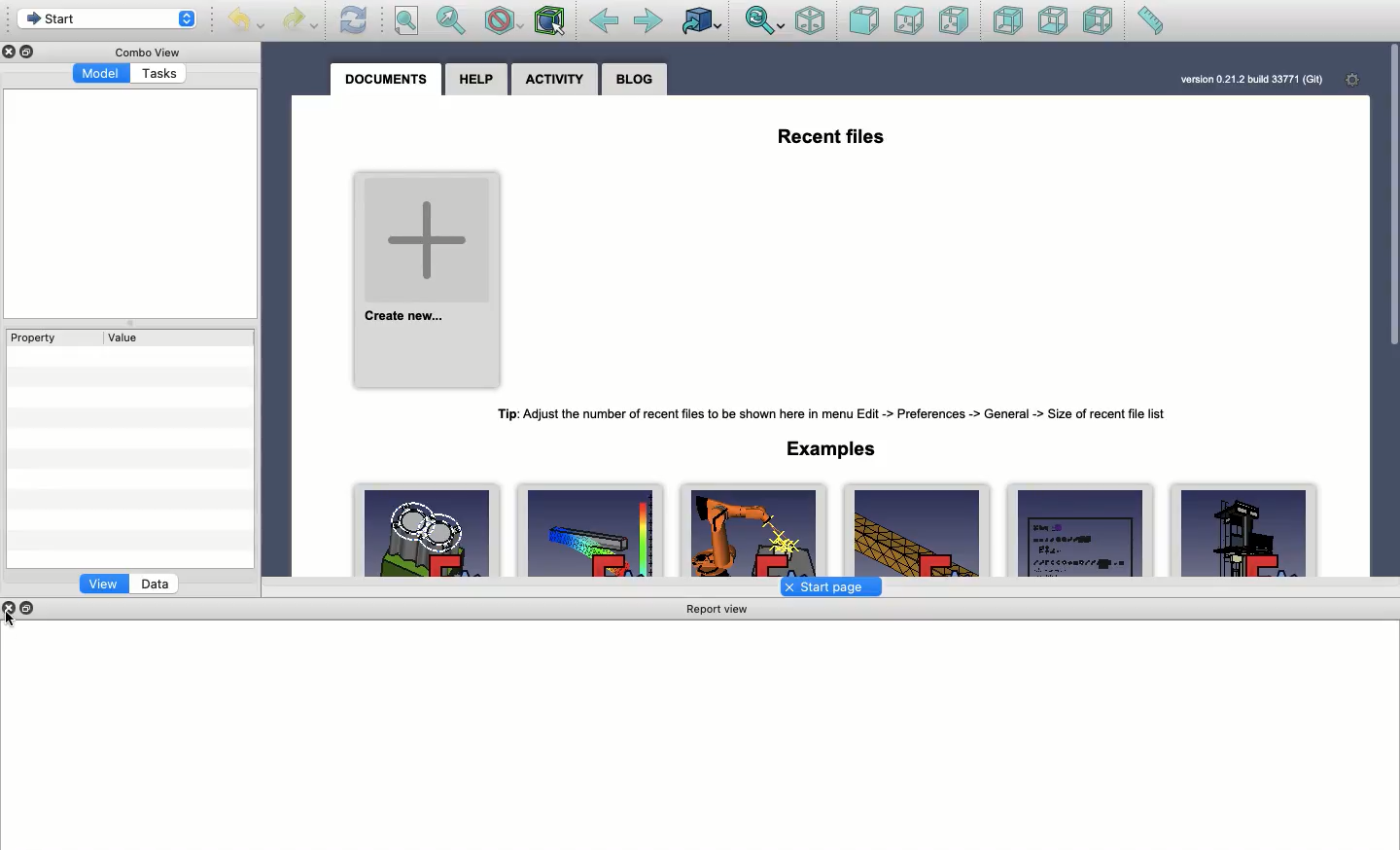 The width and height of the screenshot is (1400, 850). Describe the element at coordinates (814, 20) in the screenshot. I see `Isometric ` at that location.